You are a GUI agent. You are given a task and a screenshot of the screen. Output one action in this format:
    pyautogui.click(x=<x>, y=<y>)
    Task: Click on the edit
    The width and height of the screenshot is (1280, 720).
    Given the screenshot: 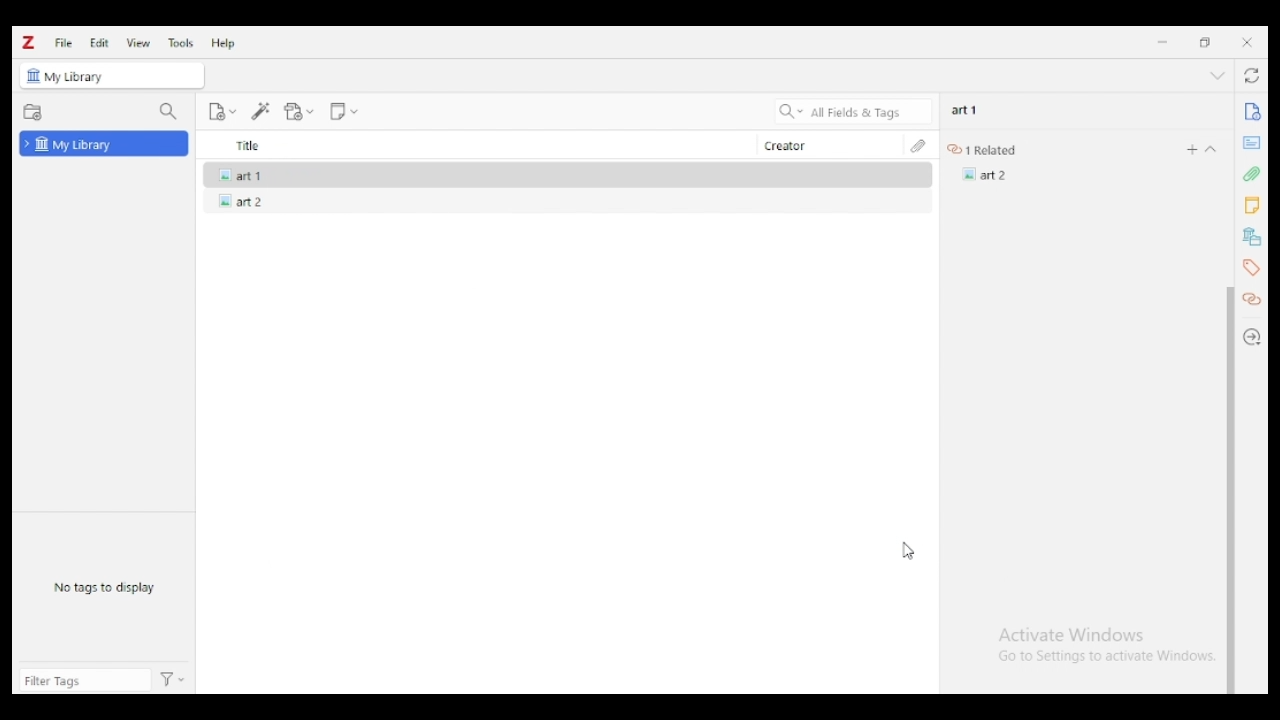 What is the action you would take?
    pyautogui.click(x=99, y=42)
    